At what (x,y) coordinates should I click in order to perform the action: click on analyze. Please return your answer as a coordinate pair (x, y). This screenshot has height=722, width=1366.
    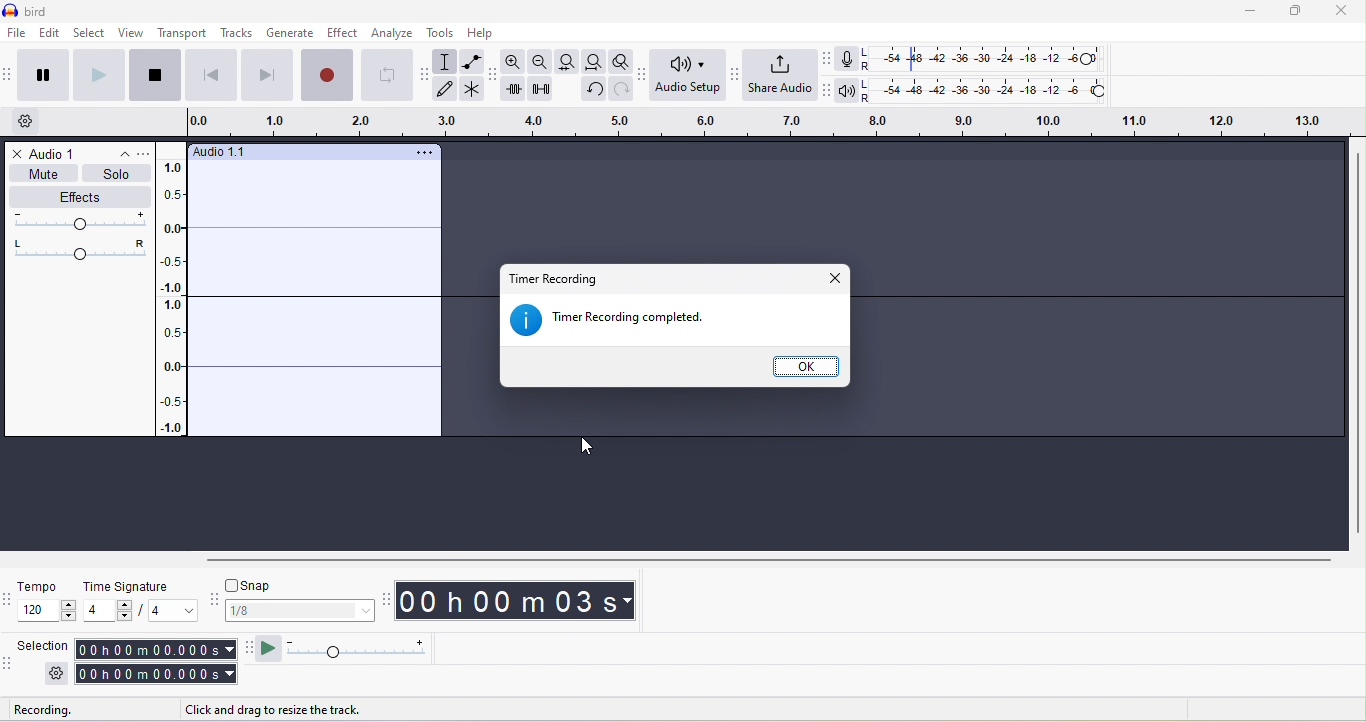
    Looking at the image, I should click on (394, 33).